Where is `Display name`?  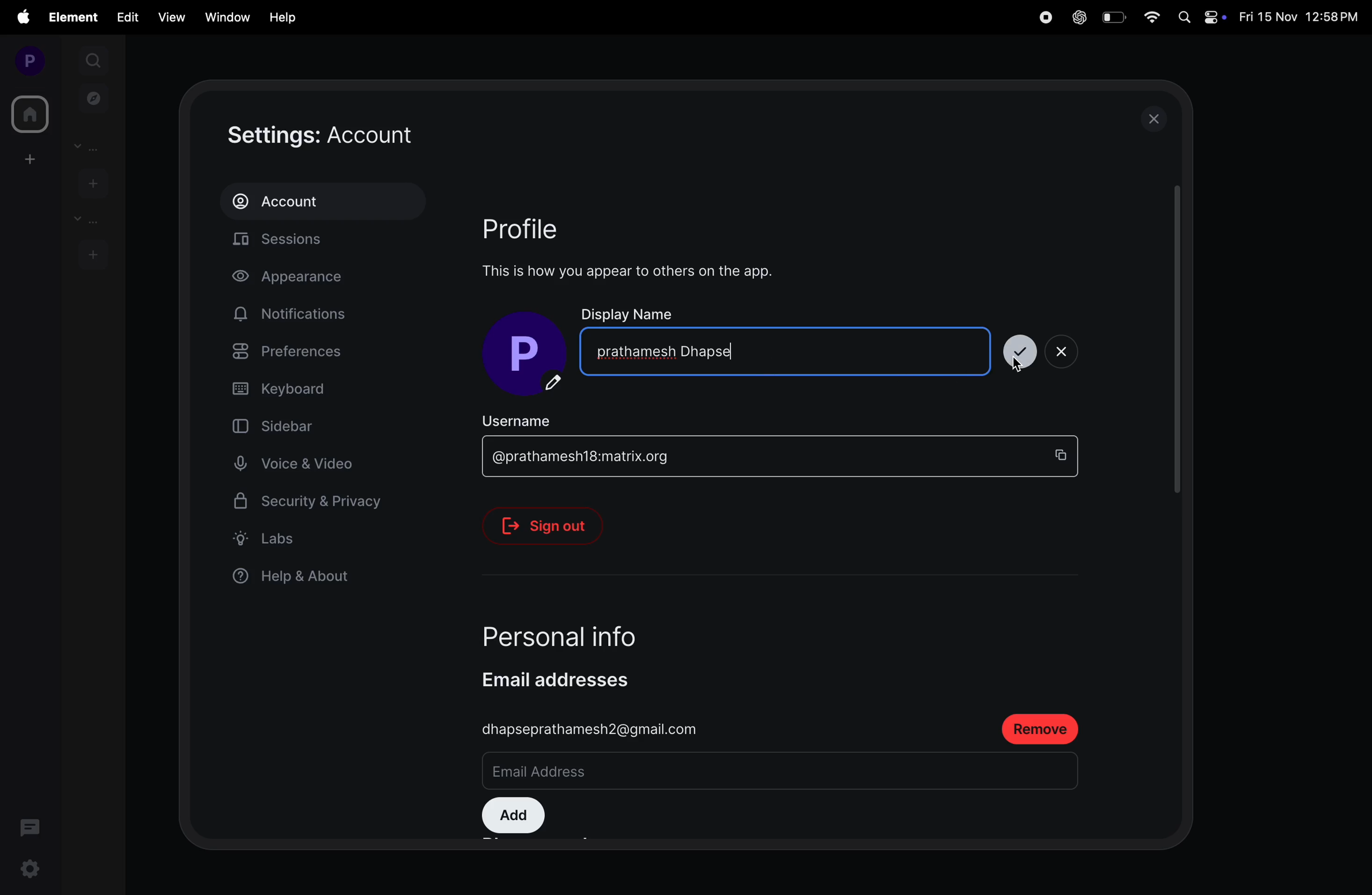
Display name is located at coordinates (630, 313).